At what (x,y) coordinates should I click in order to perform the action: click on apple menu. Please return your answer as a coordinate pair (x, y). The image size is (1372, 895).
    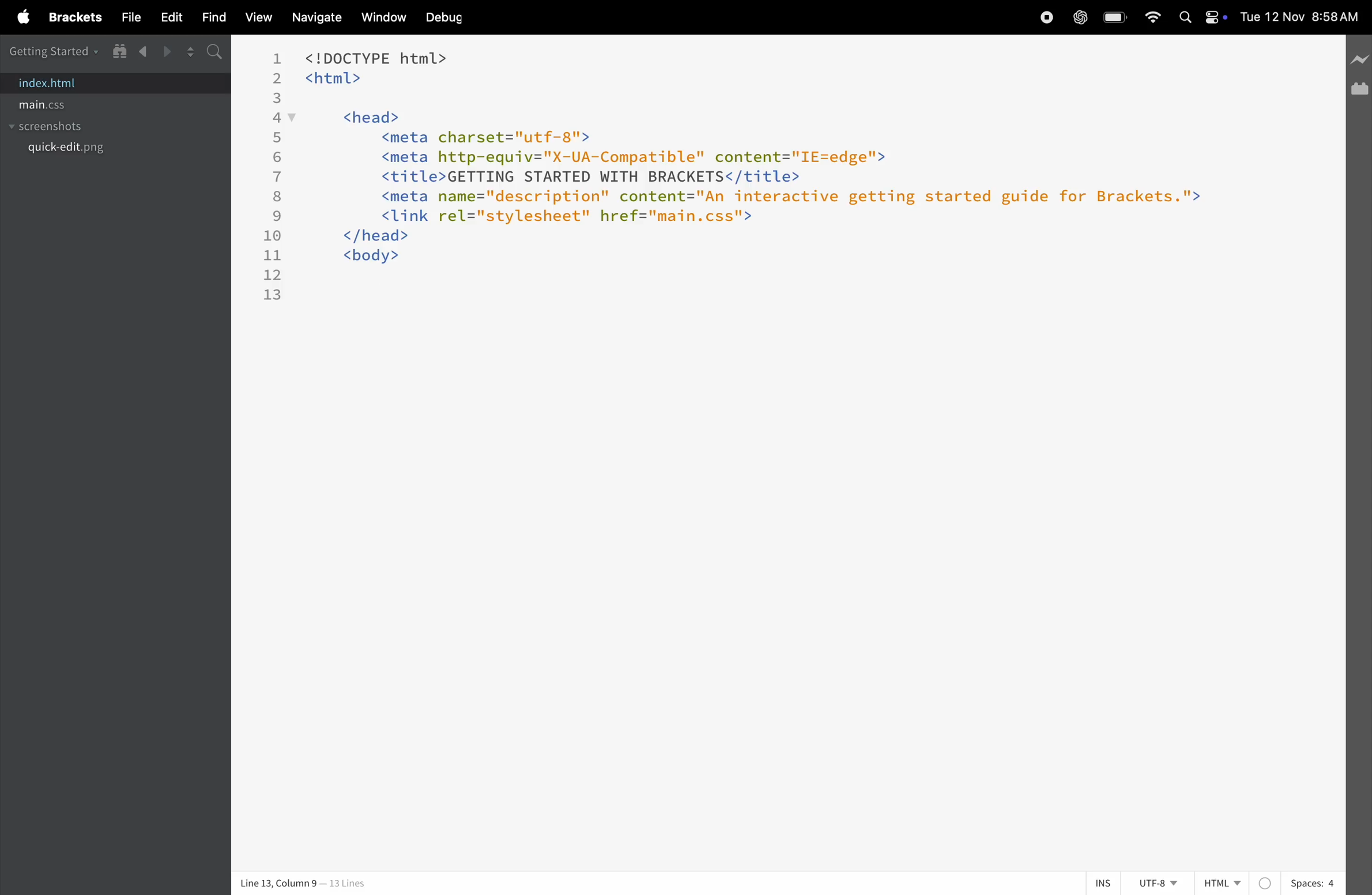
    Looking at the image, I should click on (17, 18).